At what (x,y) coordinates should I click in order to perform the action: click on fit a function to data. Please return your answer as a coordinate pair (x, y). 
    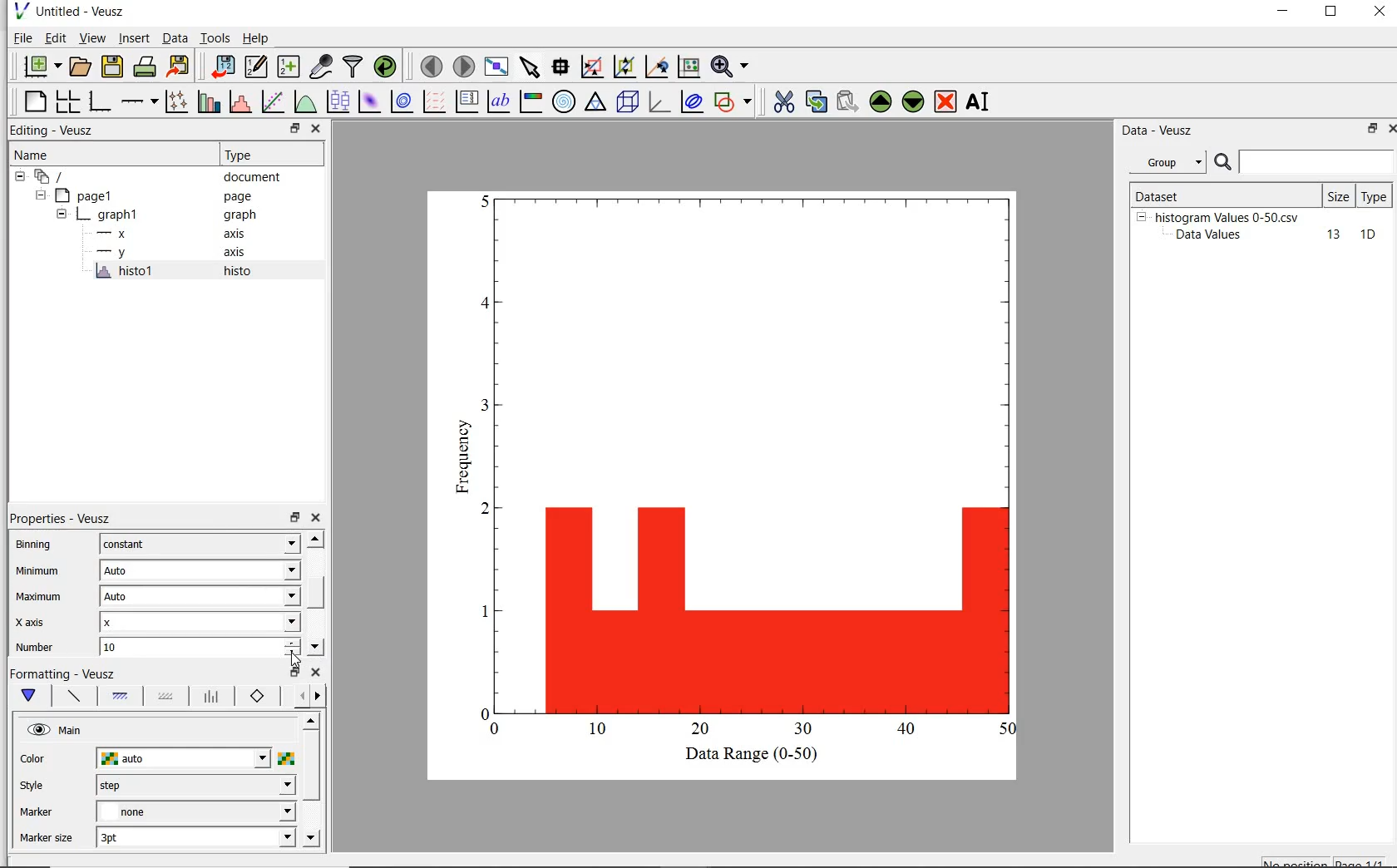
    Looking at the image, I should click on (274, 101).